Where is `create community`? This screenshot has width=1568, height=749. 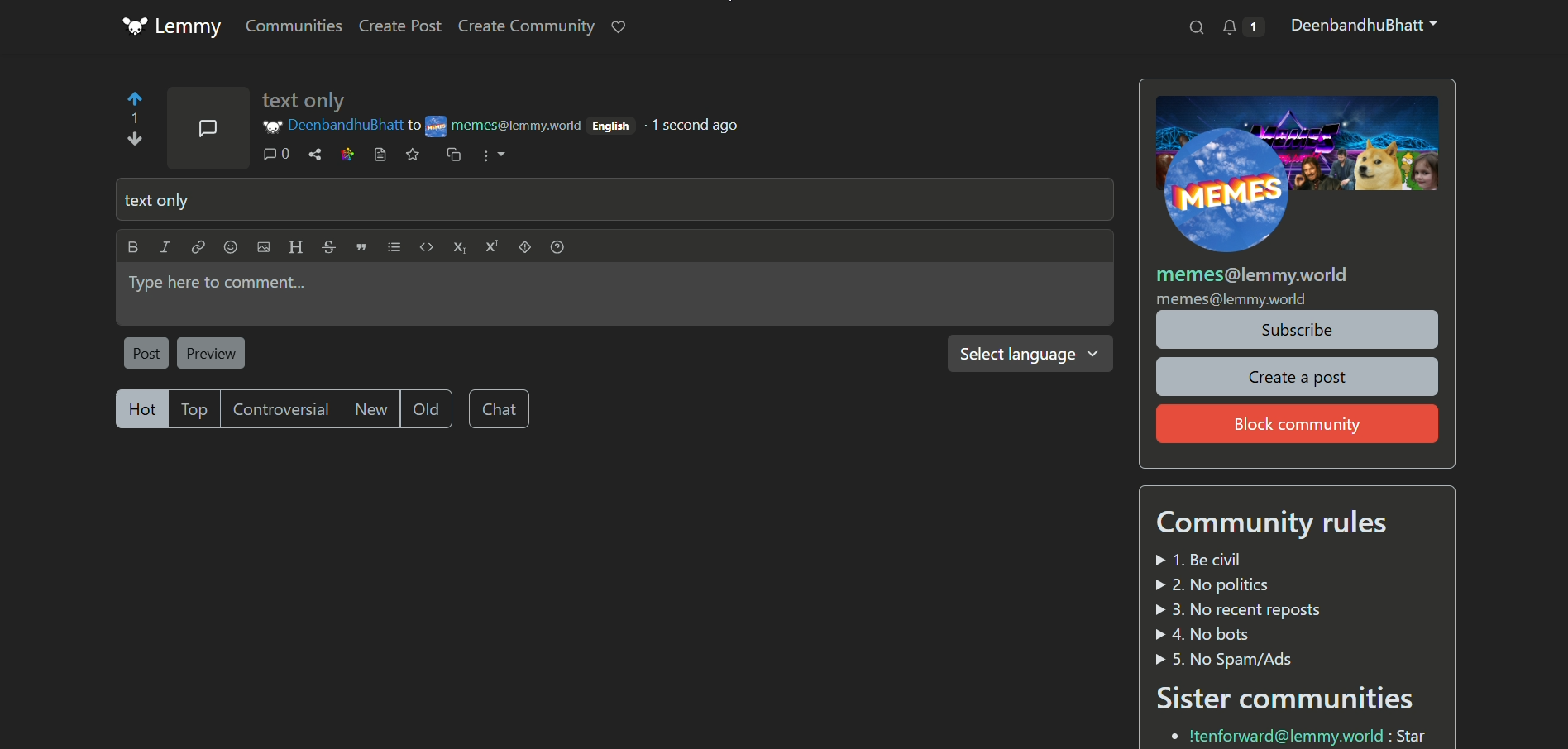
create community is located at coordinates (527, 26).